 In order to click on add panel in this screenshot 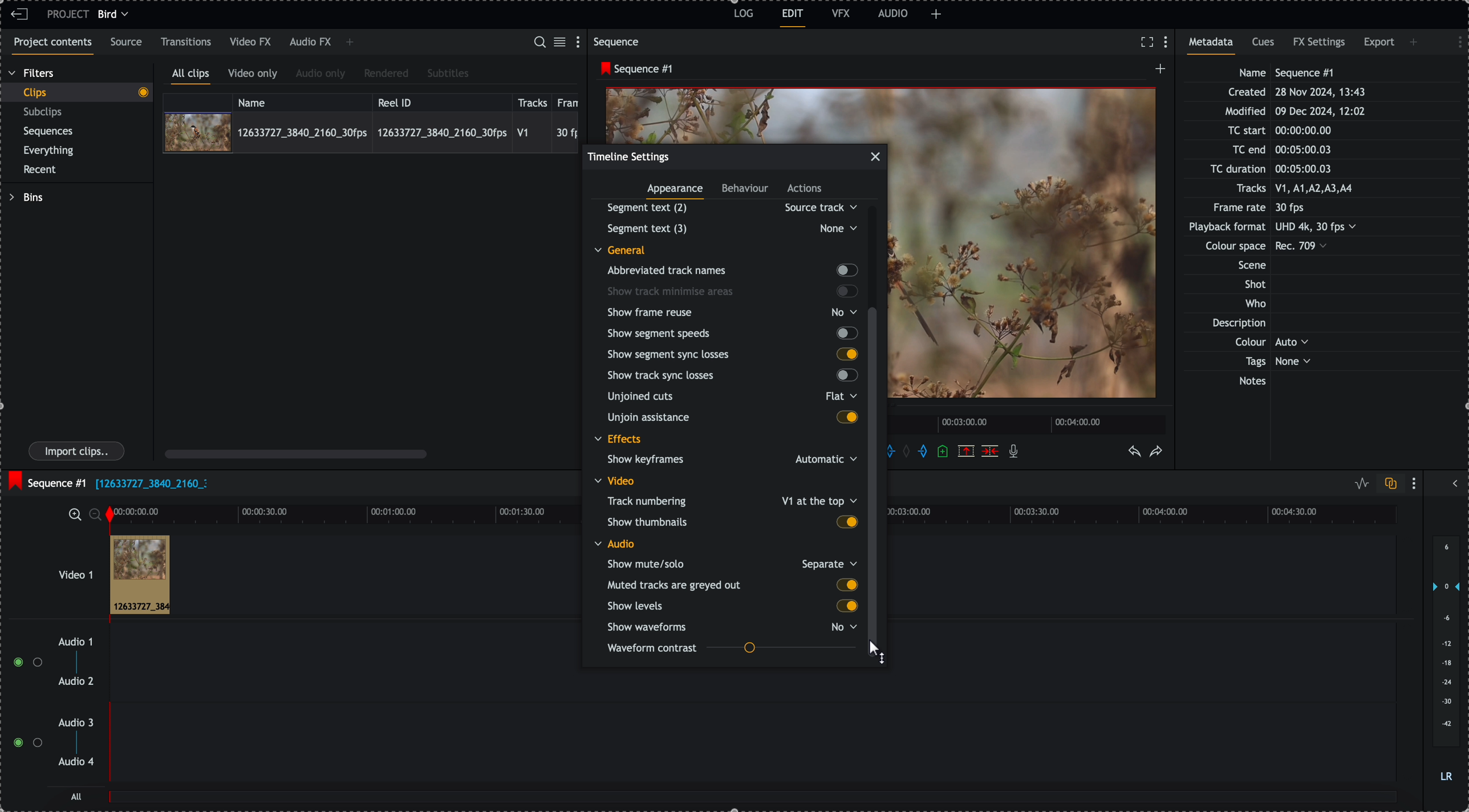, I will do `click(936, 14)`.